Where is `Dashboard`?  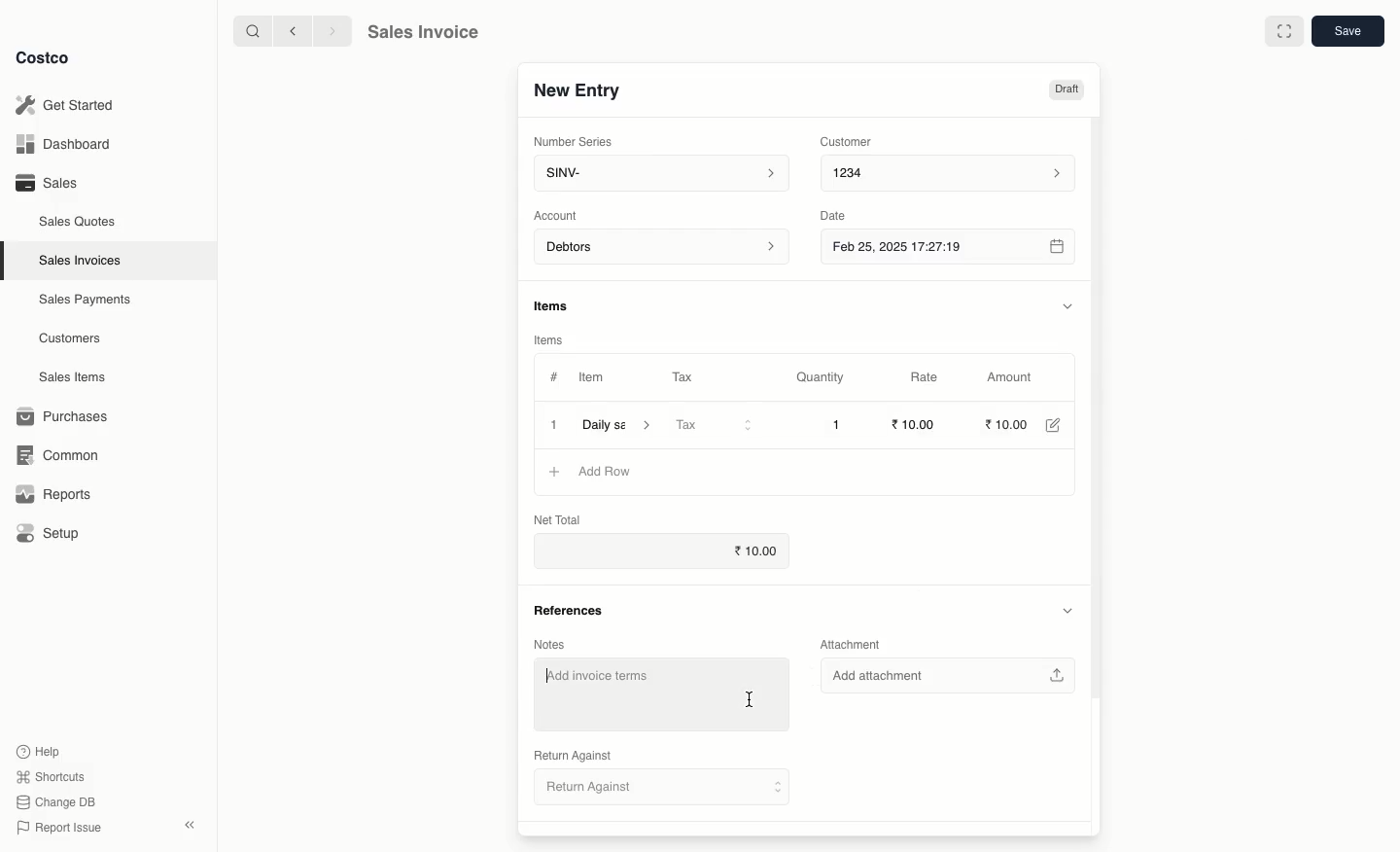 Dashboard is located at coordinates (68, 142).